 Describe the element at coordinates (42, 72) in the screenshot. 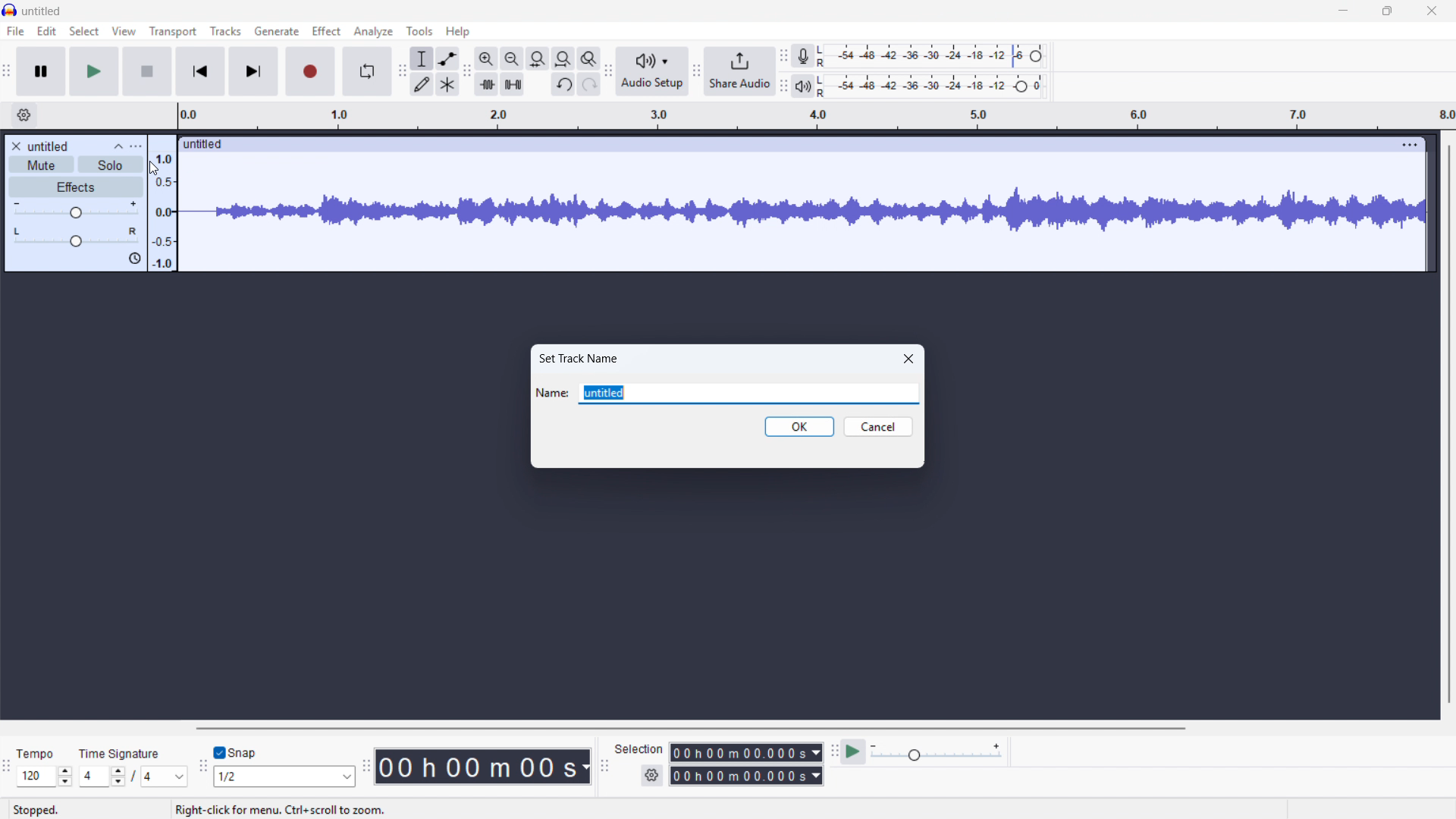

I see `Pause ` at that location.